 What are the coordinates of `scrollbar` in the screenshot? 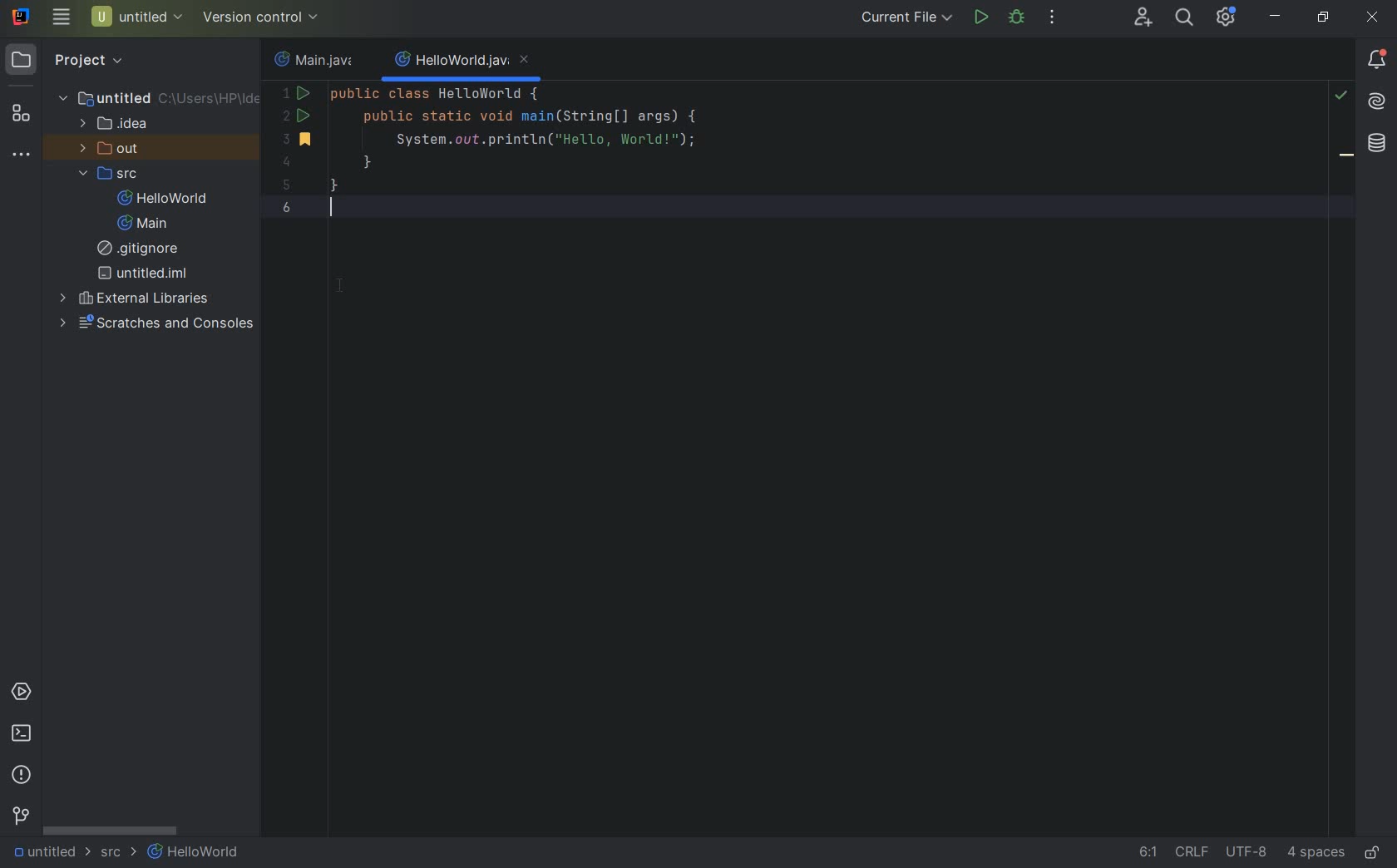 It's located at (109, 831).